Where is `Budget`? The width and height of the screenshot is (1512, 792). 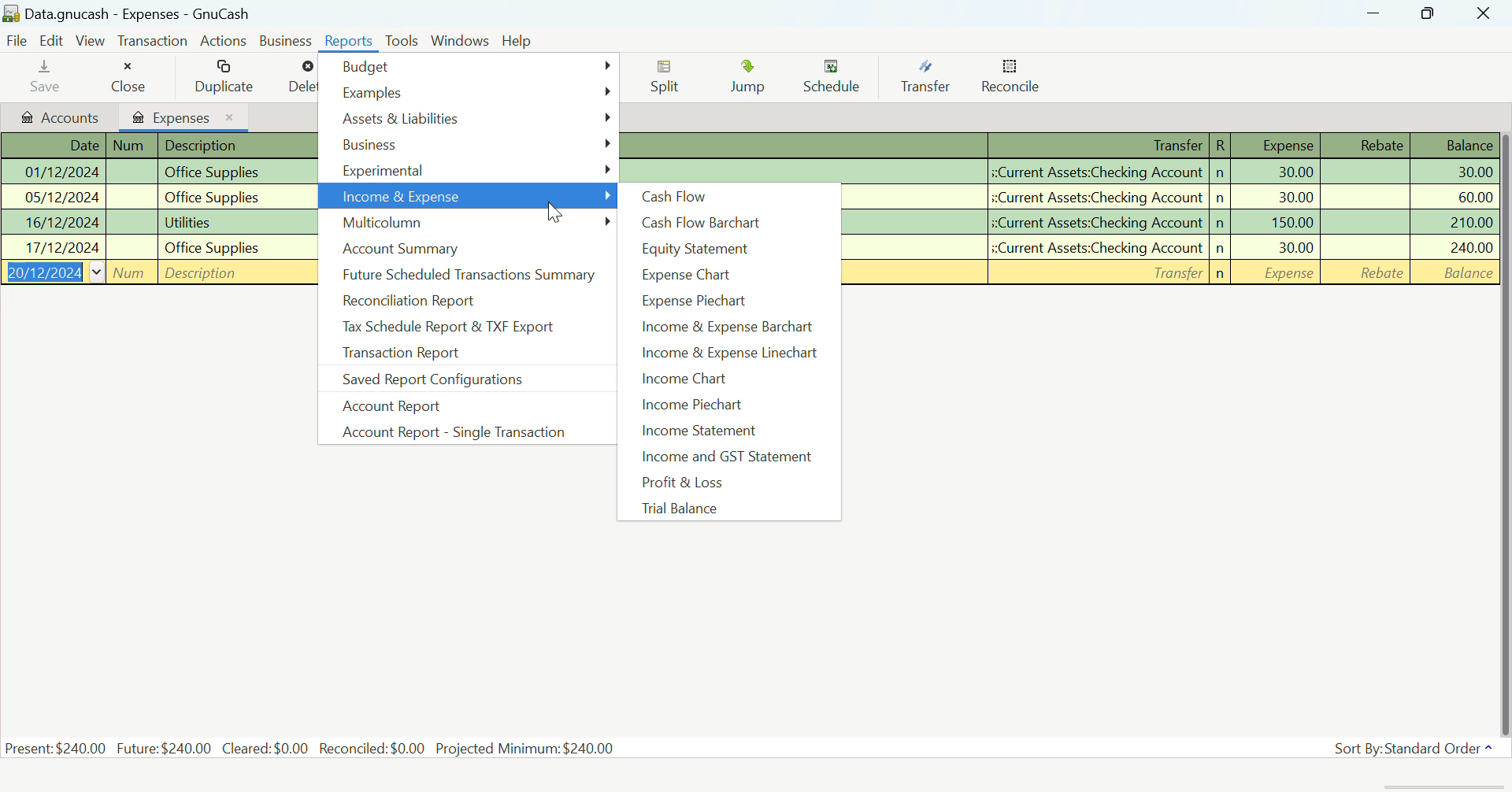 Budget is located at coordinates (469, 69).